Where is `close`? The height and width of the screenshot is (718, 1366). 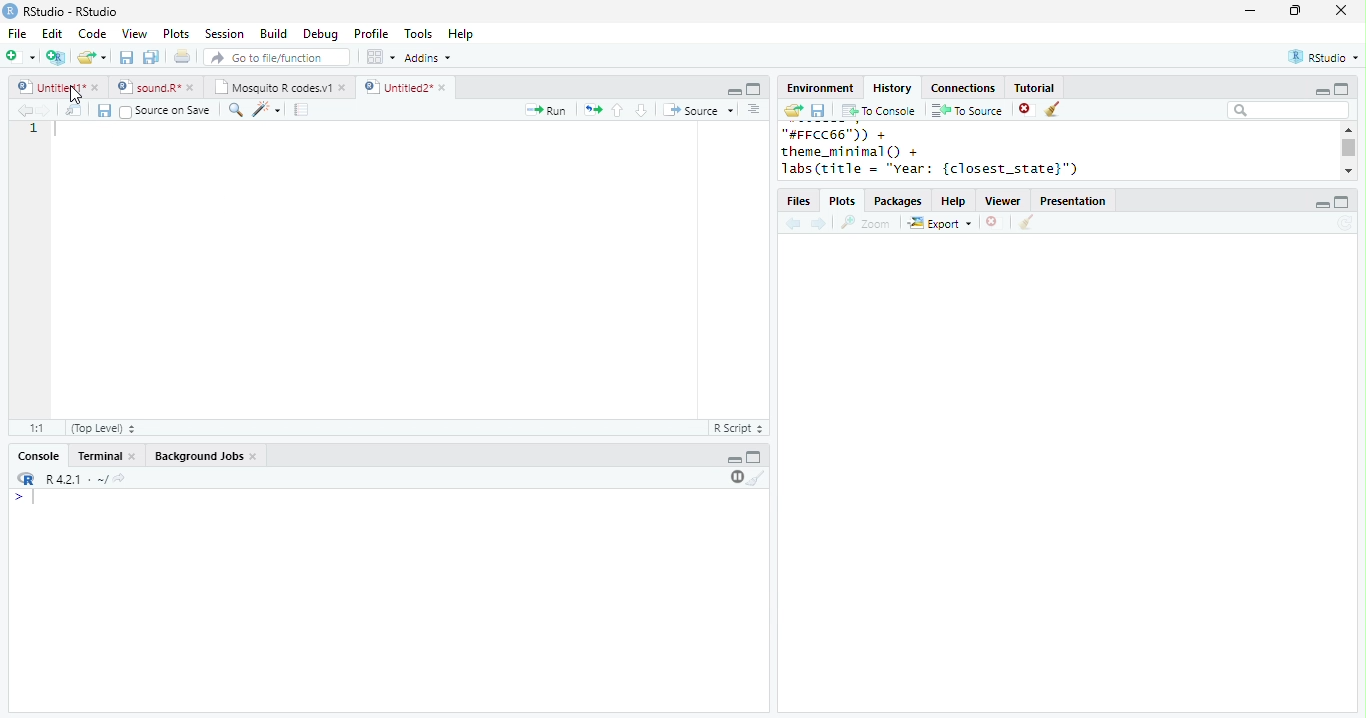
close is located at coordinates (97, 87).